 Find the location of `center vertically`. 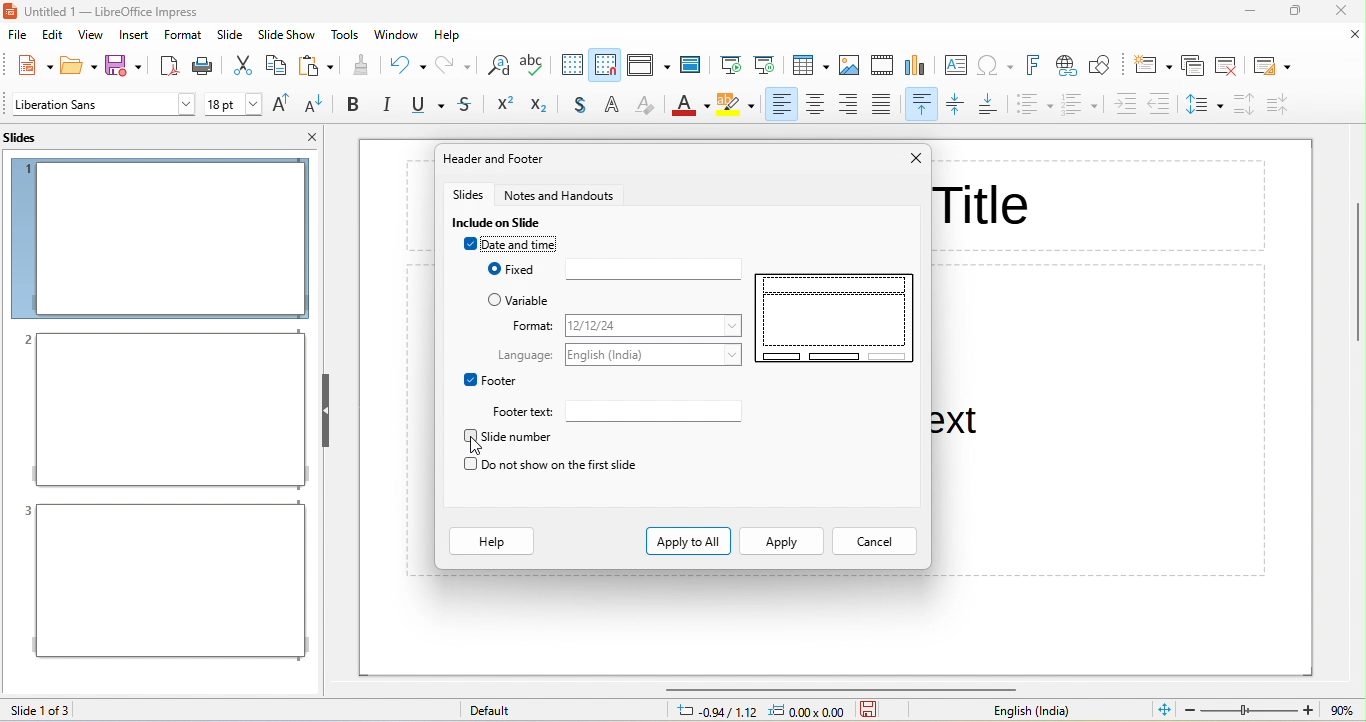

center vertically is located at coordinates (958, 106).